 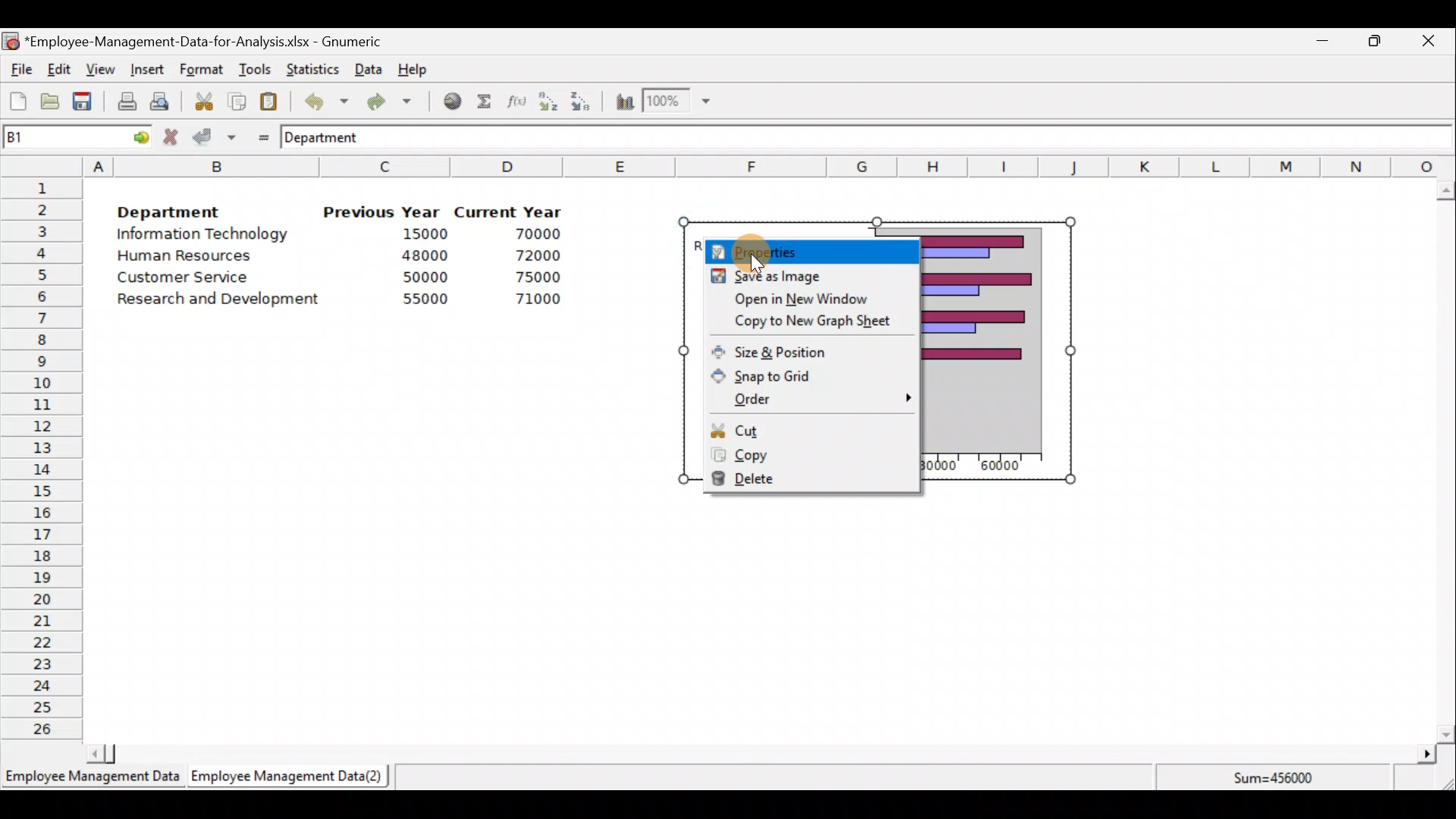 What do you see at coordinates (215, 136) in the screenshot?
I see `Accept change` at bounding box center [215, 136].